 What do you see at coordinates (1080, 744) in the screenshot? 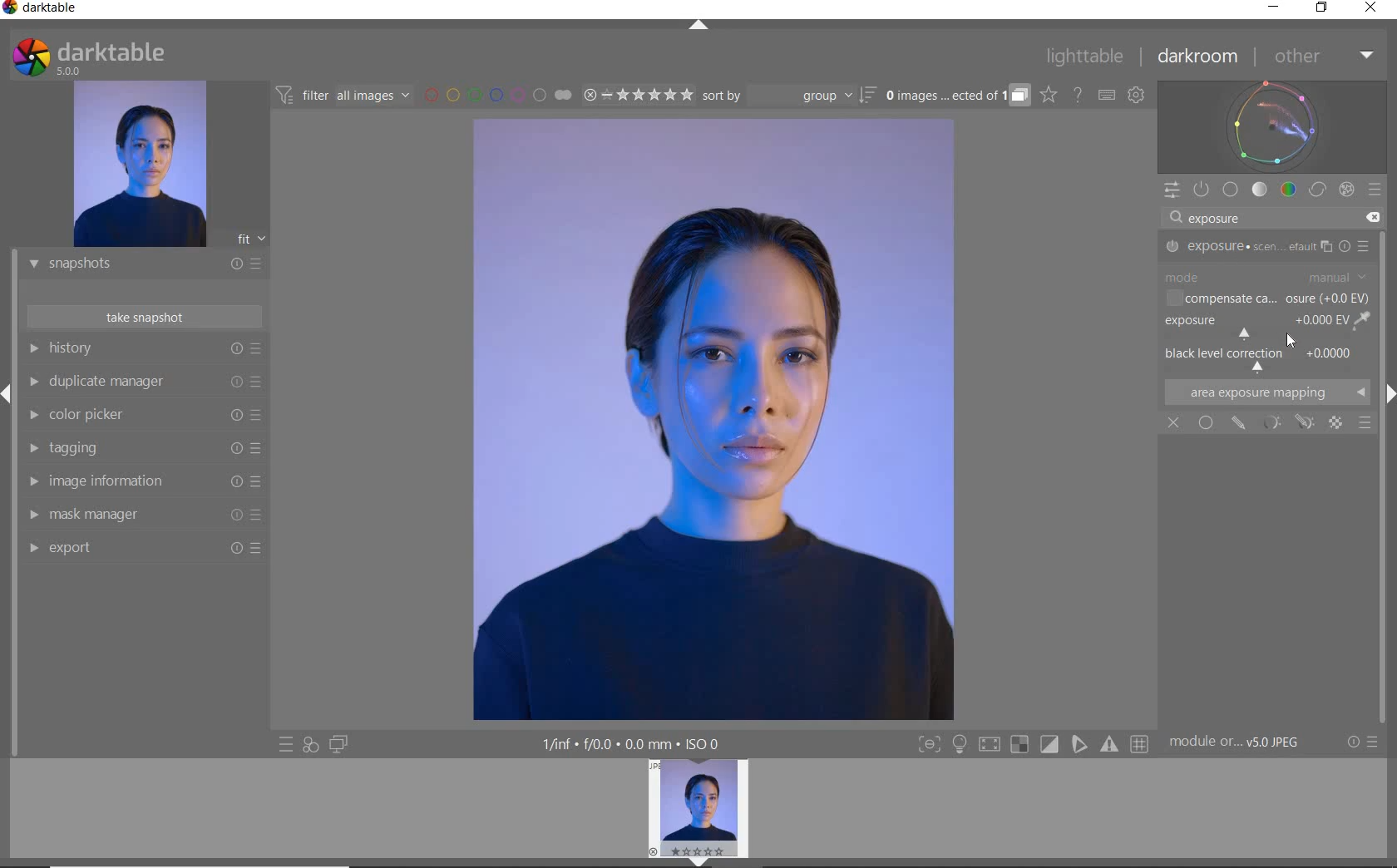
I see `Button` at bounding box center [1080, 744].